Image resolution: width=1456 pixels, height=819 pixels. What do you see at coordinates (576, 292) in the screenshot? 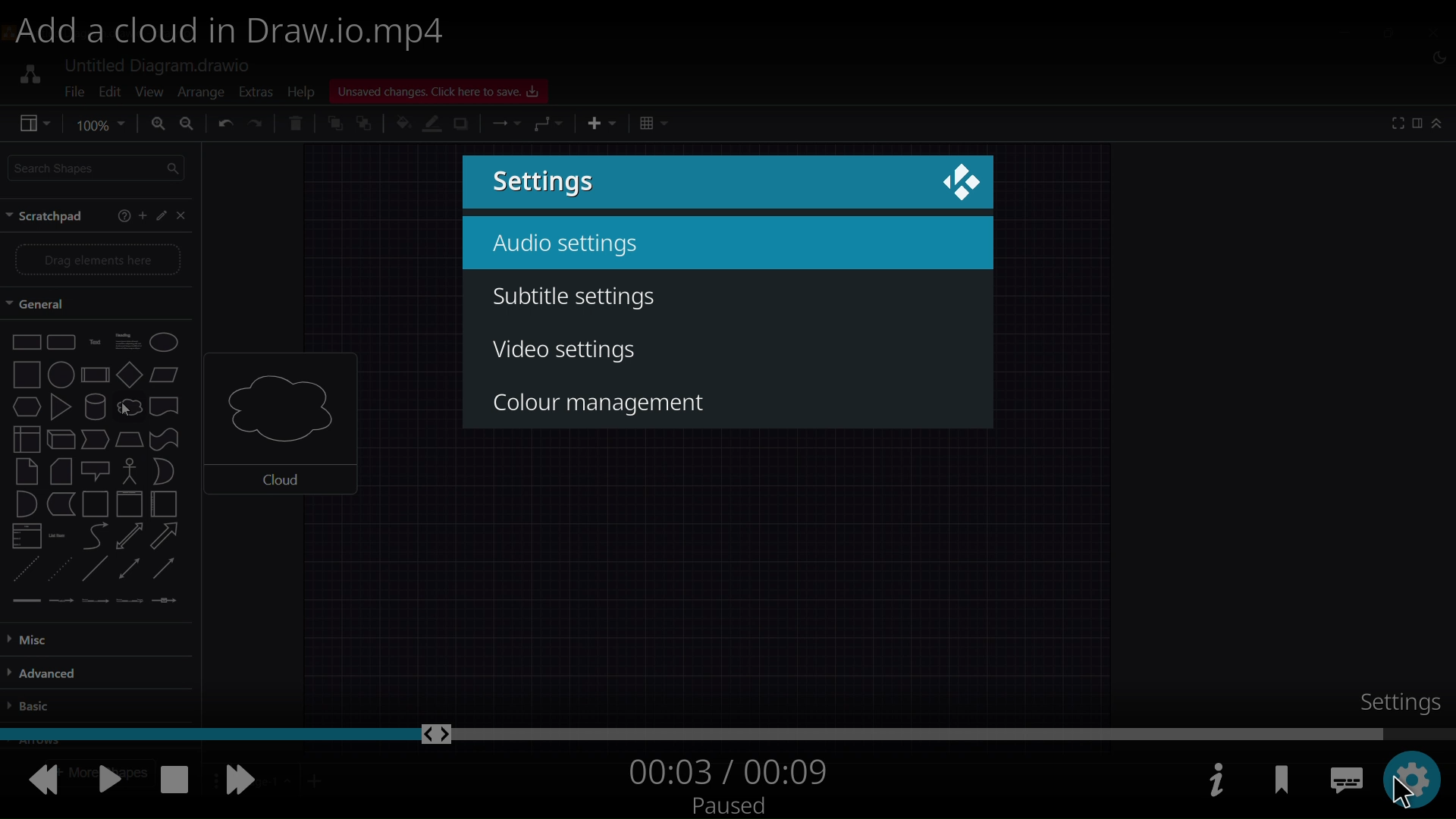
I see `subtitle setting` at bounding box center [576, 292].